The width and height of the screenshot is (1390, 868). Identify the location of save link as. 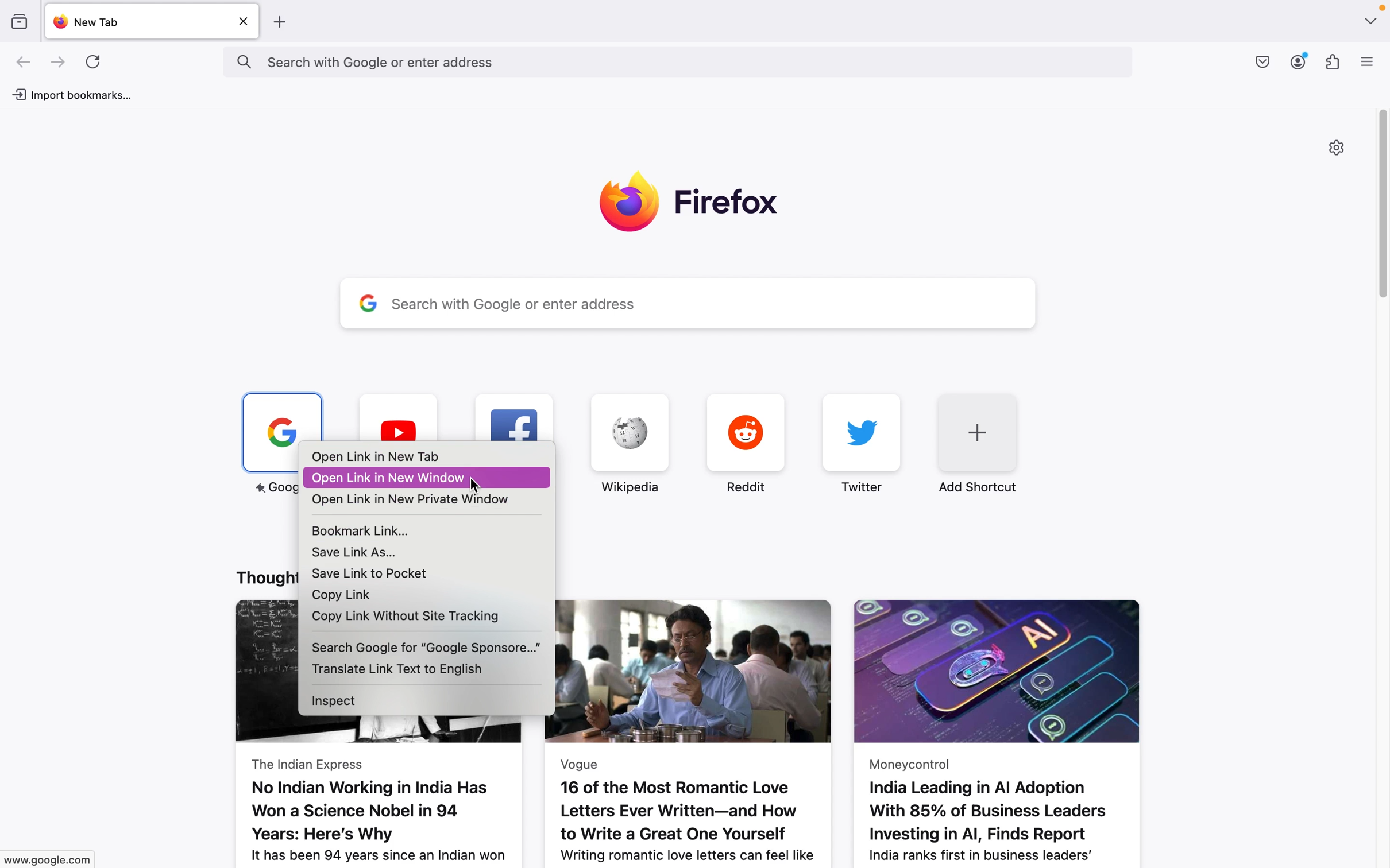
(354, 553).